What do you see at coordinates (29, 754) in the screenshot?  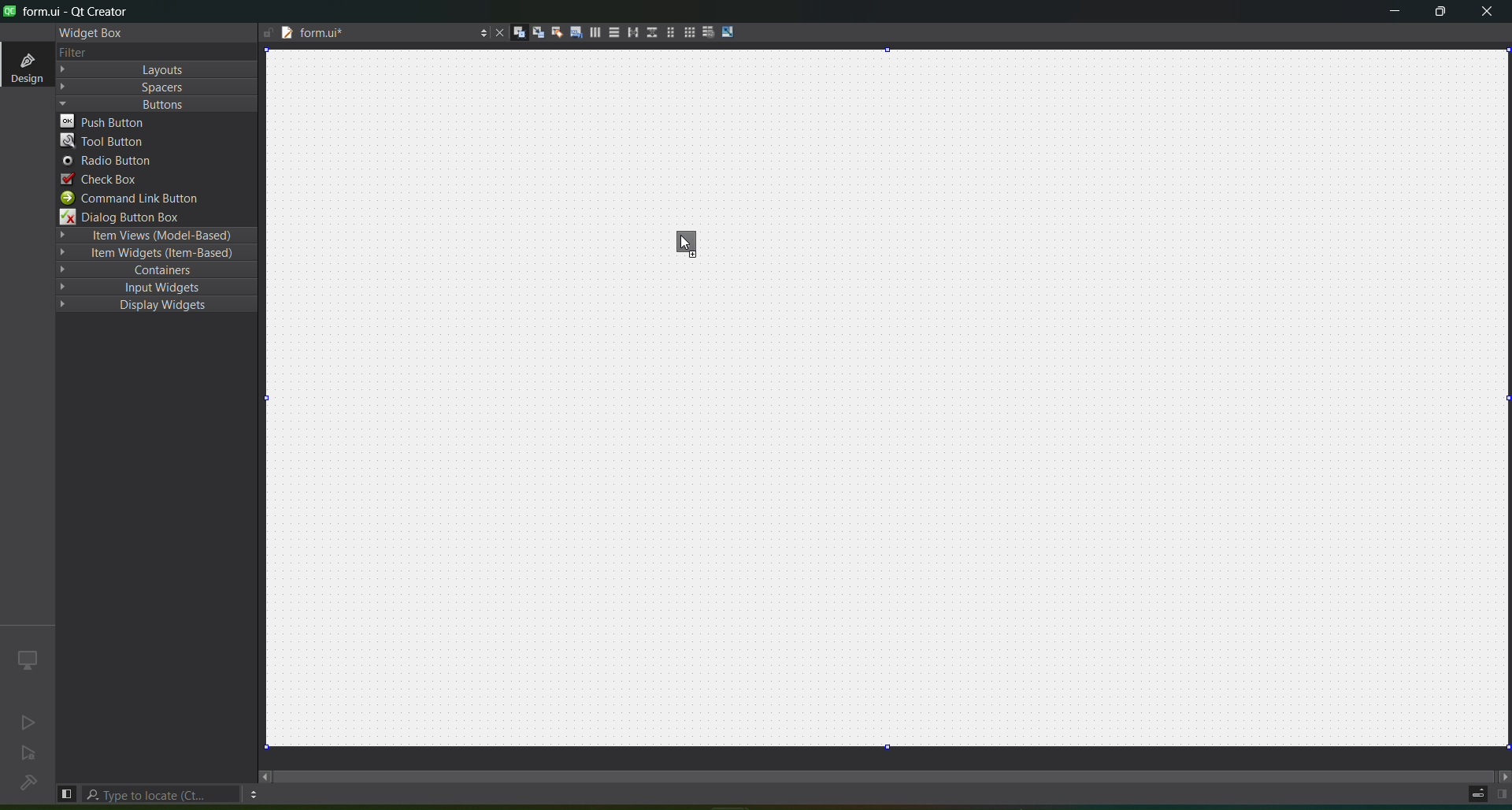 I see `no active project` at bounding box center [29, 754].